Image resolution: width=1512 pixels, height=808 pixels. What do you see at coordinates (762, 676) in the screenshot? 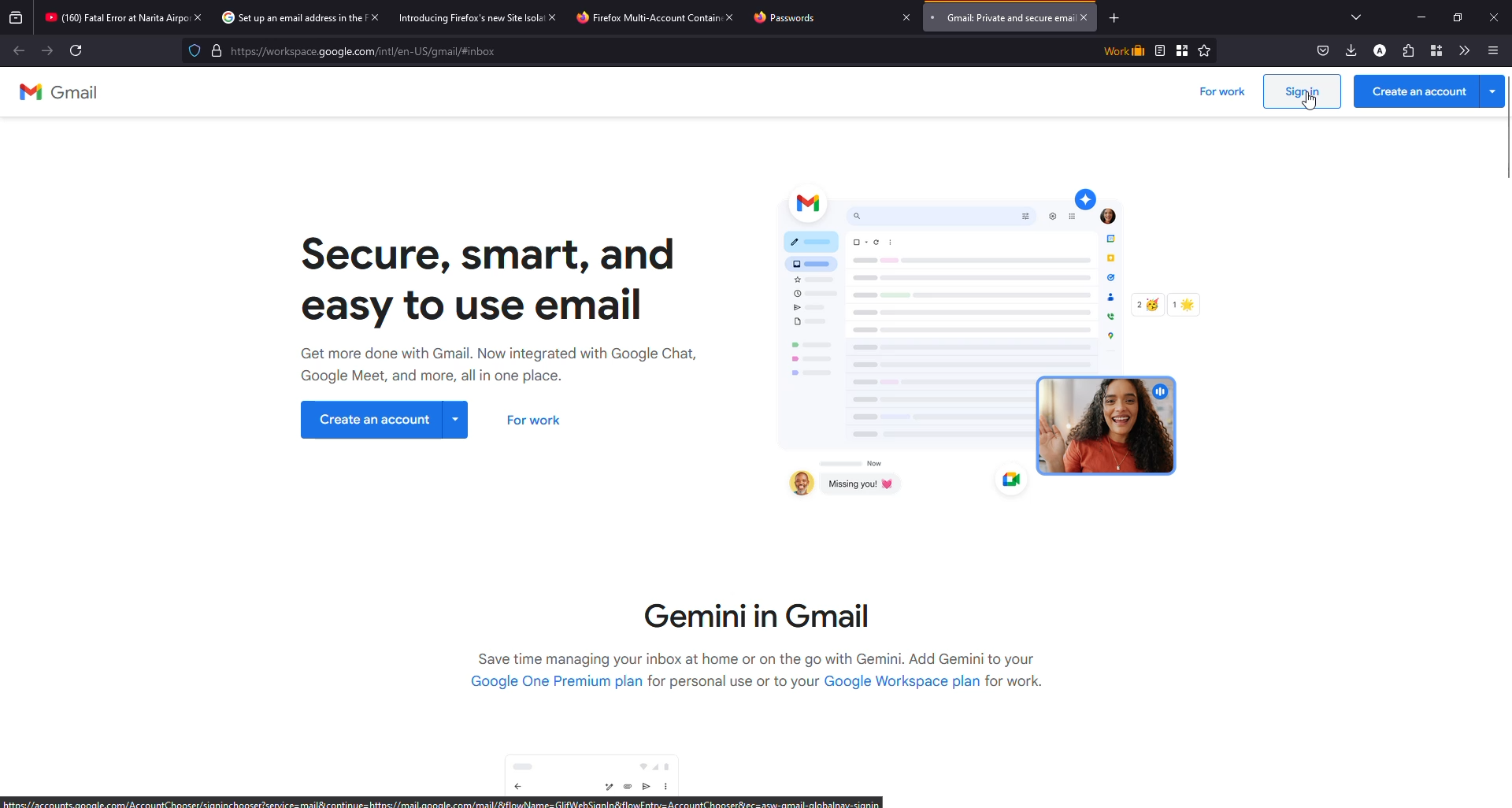
I see `Save time managing your inbox at home or on the go with Gemini. Add Gemini to your
Google One Premium plan for personal use or to your Google Workspace plan for work.` at bounding box center [762, 676].